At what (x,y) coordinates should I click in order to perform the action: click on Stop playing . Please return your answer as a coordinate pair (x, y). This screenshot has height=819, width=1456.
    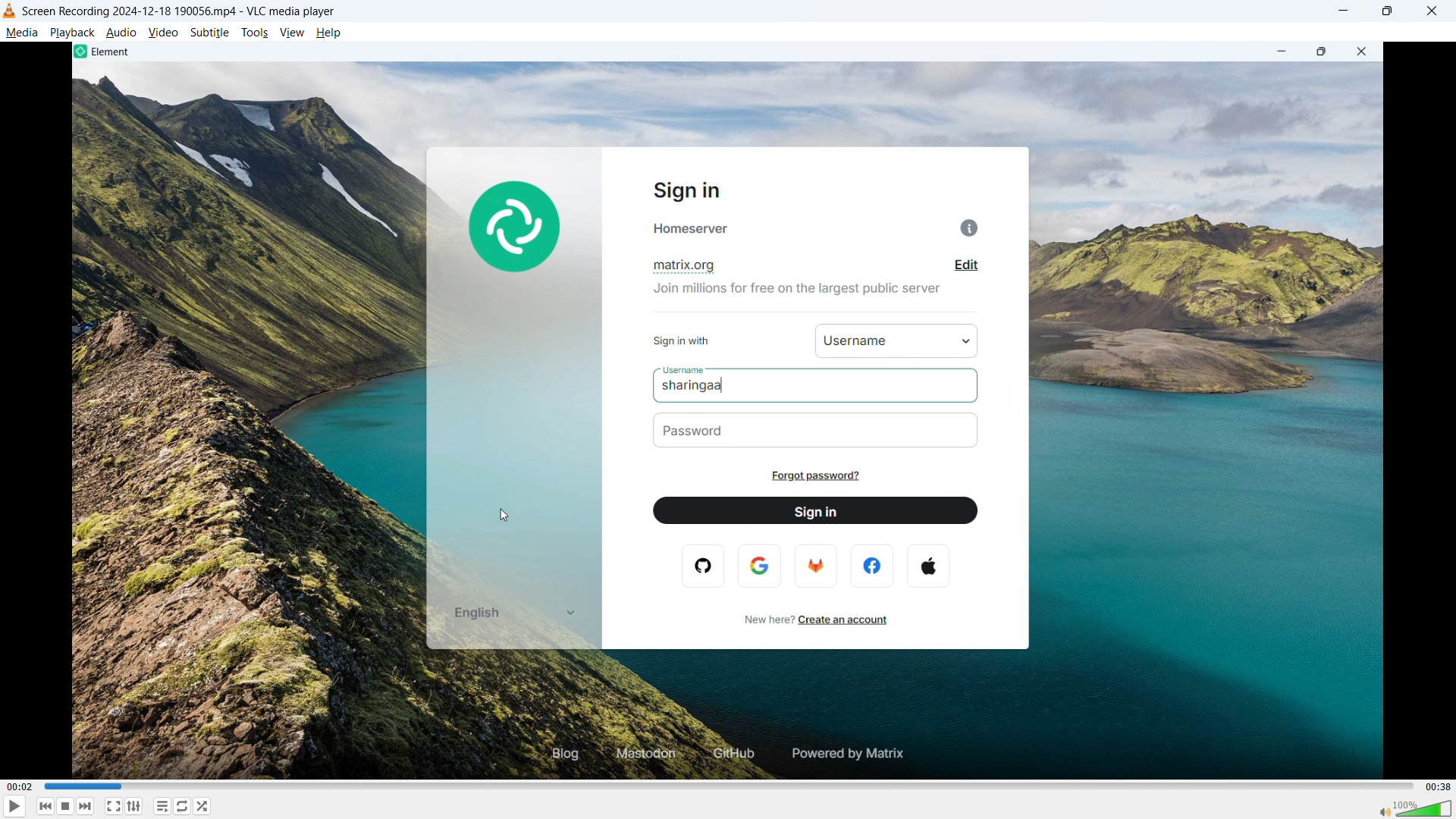
    Looking at the image, I should click on (65, 806).